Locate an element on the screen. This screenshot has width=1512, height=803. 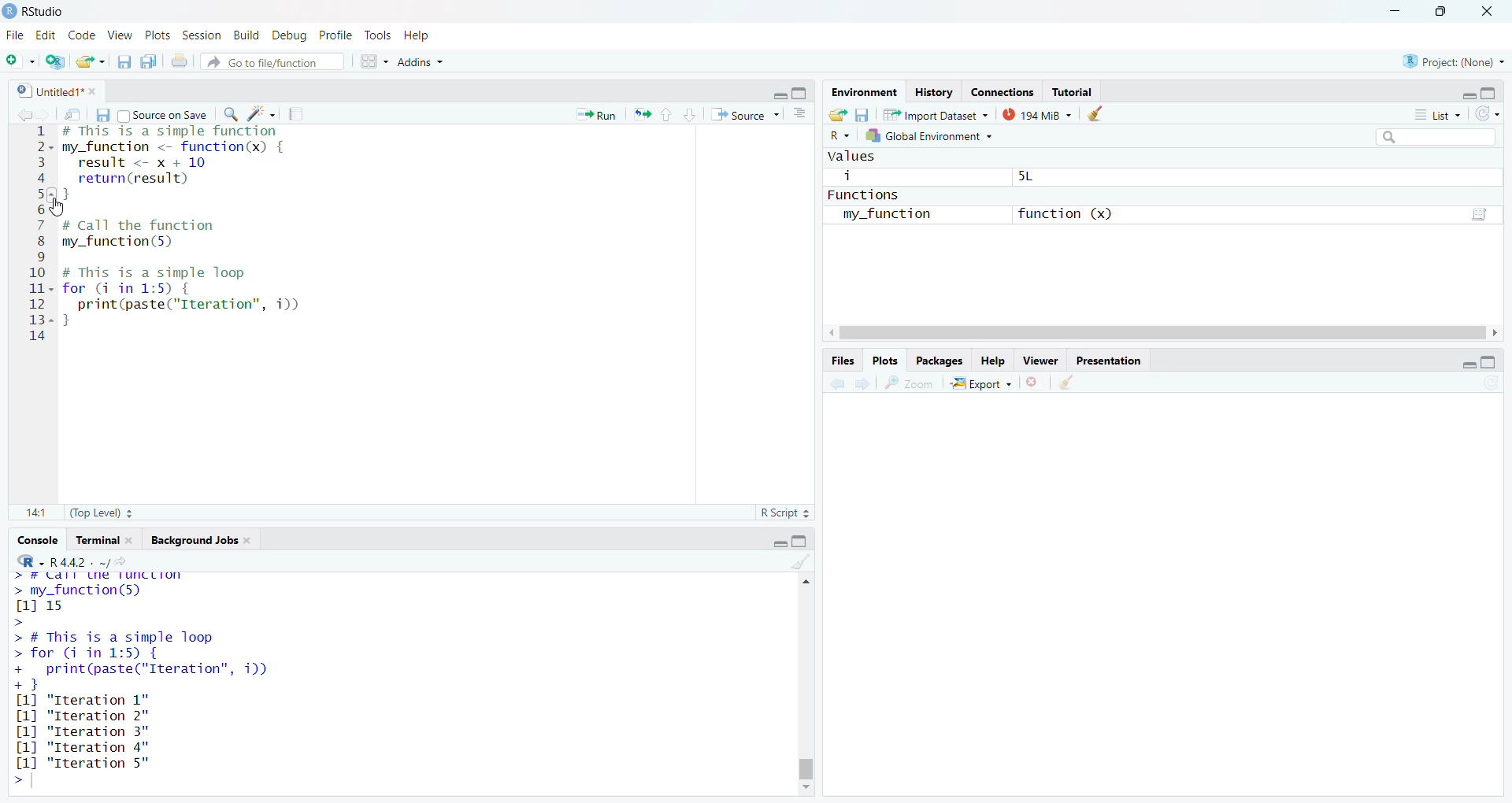
R 4.4.2 . ~/ is located at coordinates (80, 561).